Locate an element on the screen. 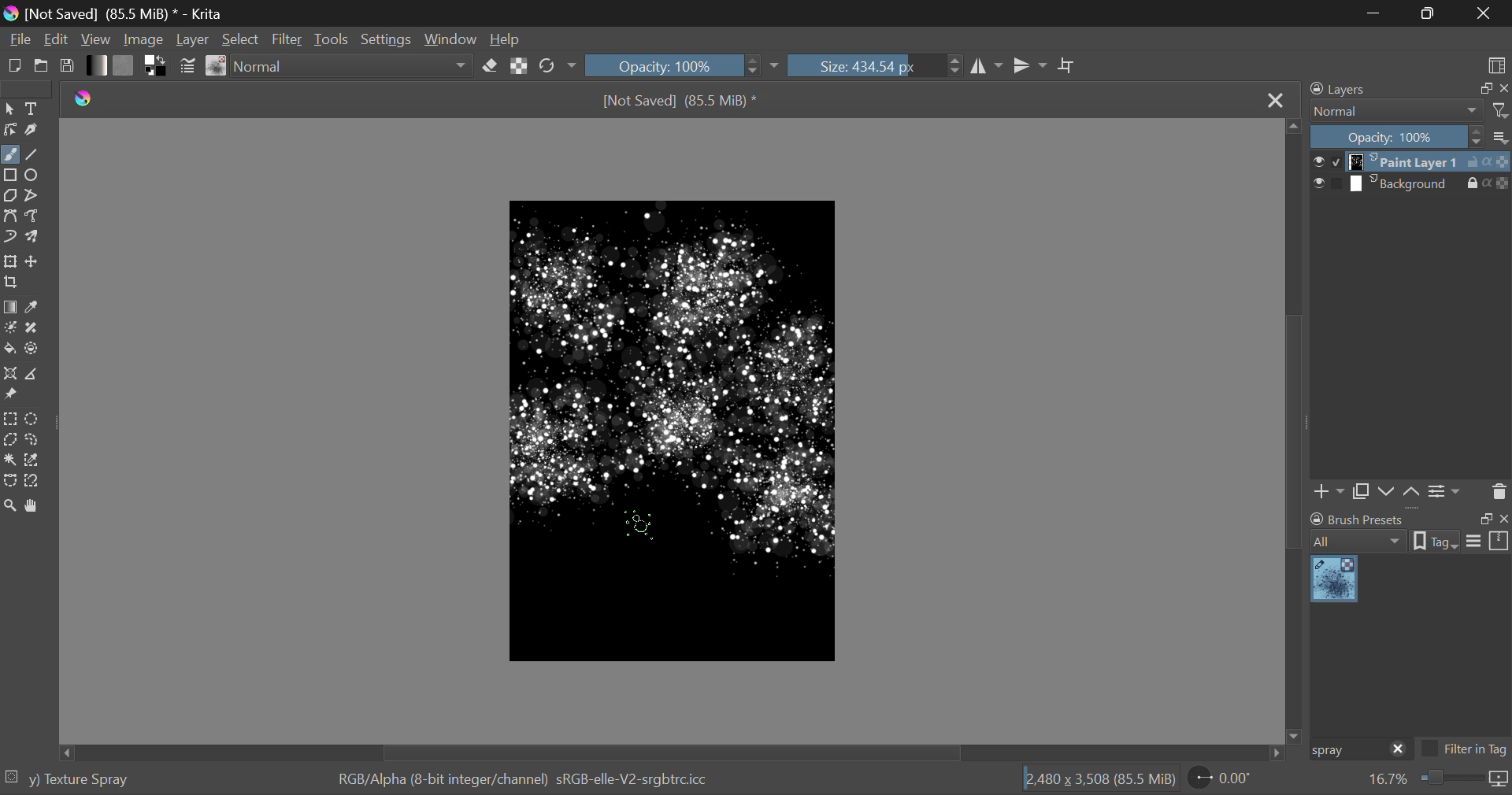  zoom value is located at coordinates (1388, 780).